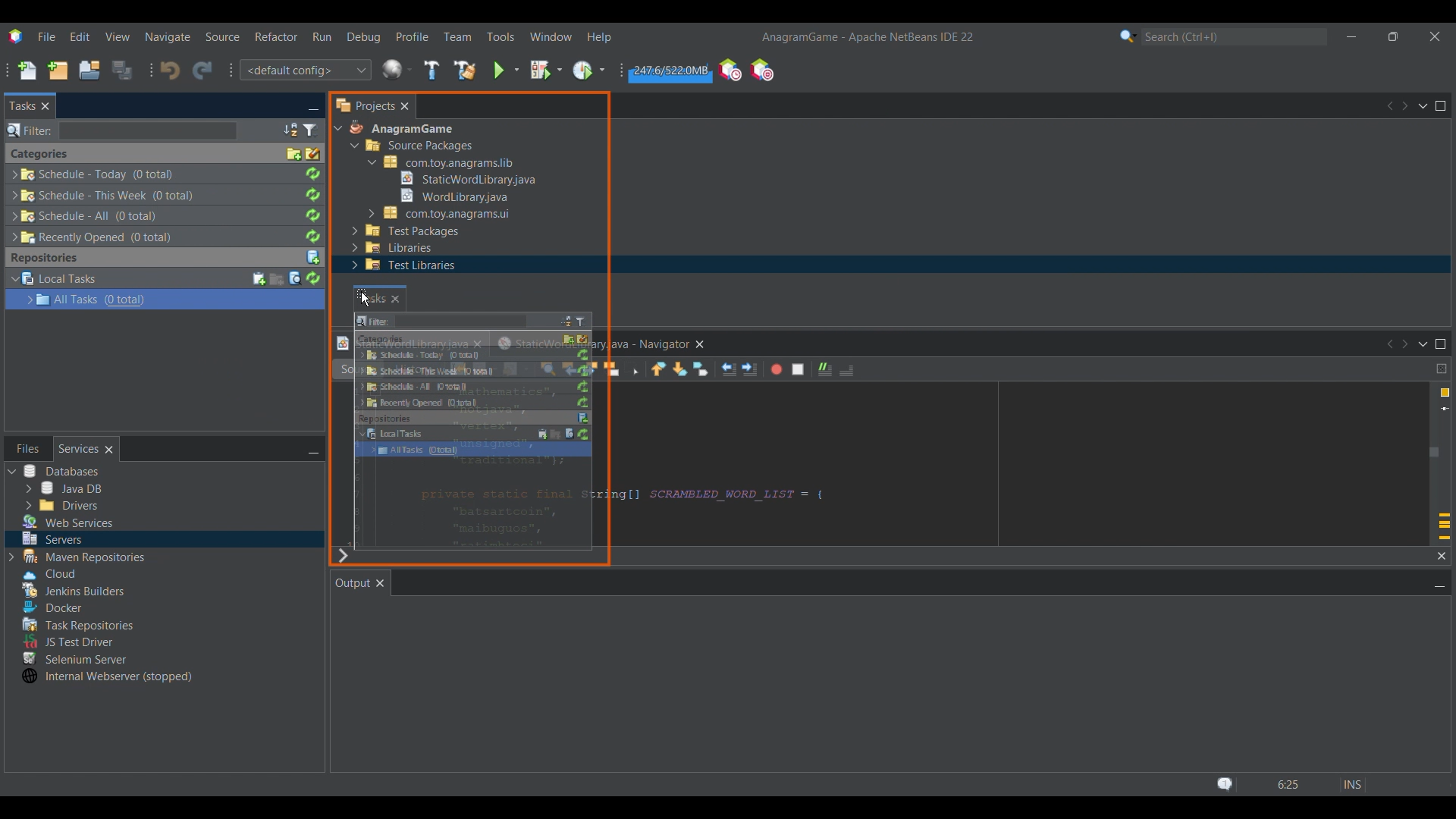 The width and height of the screenshot is (1456, 819). What do you see at coordinates (94, 237) in the screenshot?
I see `` at bounding box center [94, 237].